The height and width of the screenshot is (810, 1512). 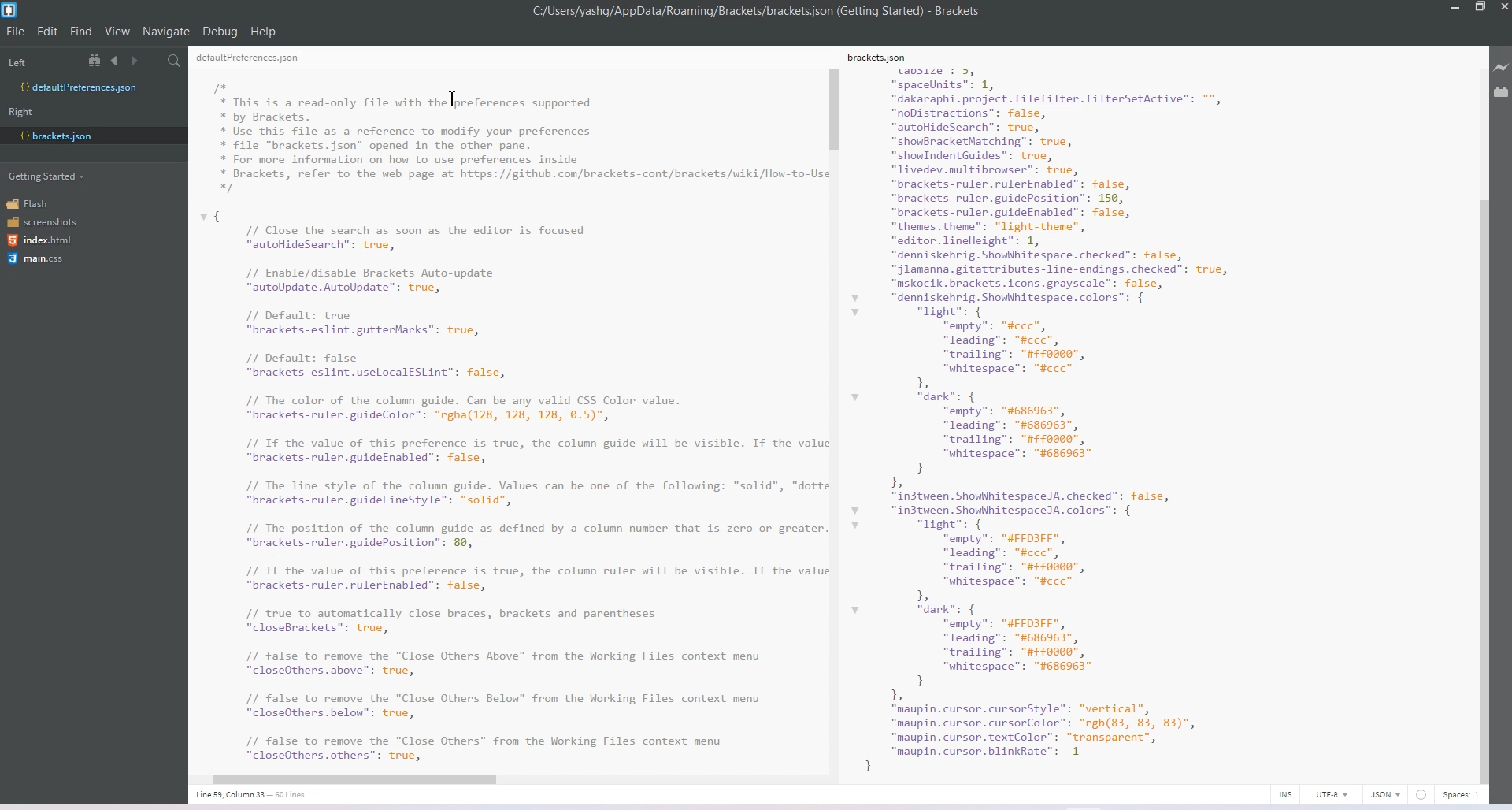 I want to click on Help, so click(x=264, y=32).